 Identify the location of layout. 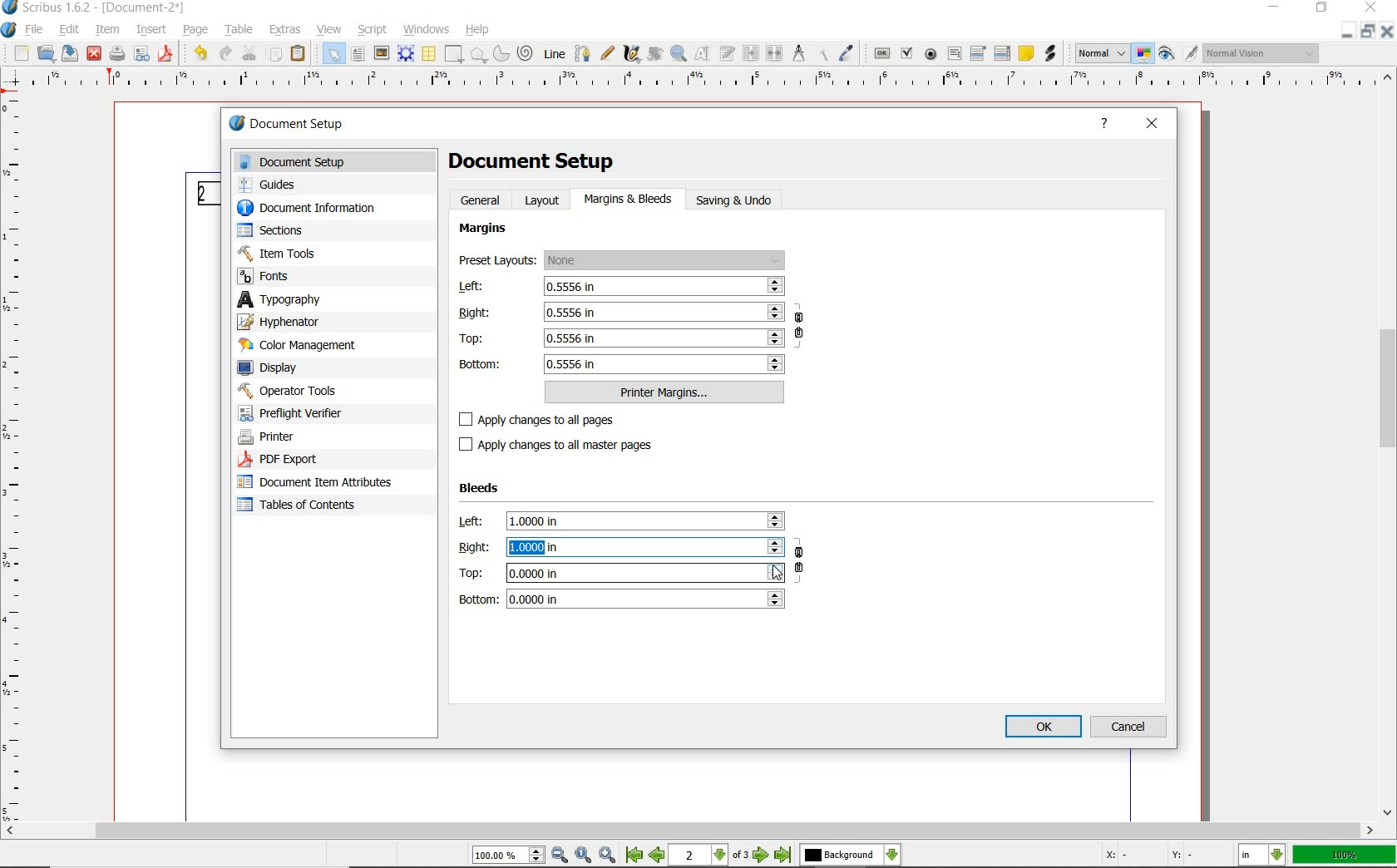
(545, 200).